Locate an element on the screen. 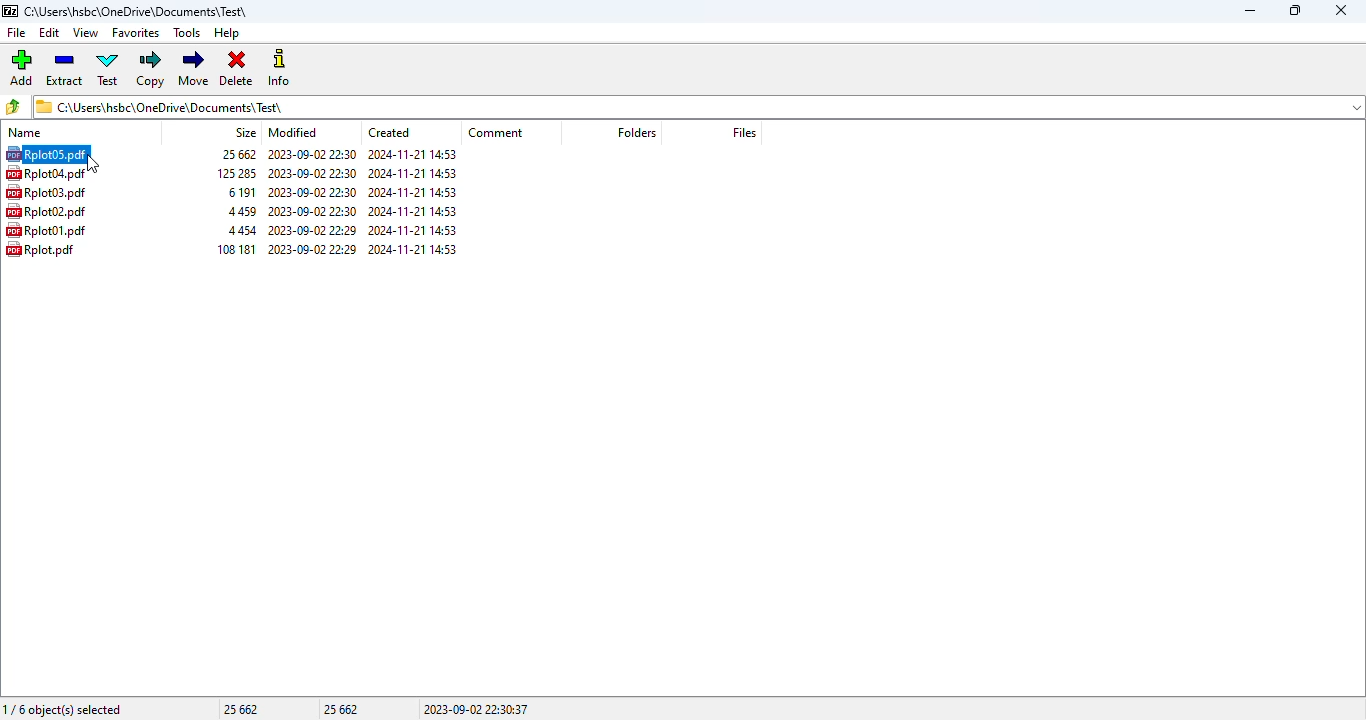 The height and width of the screenshot is (720, 1366). delete is located at coordinates (238, 69).